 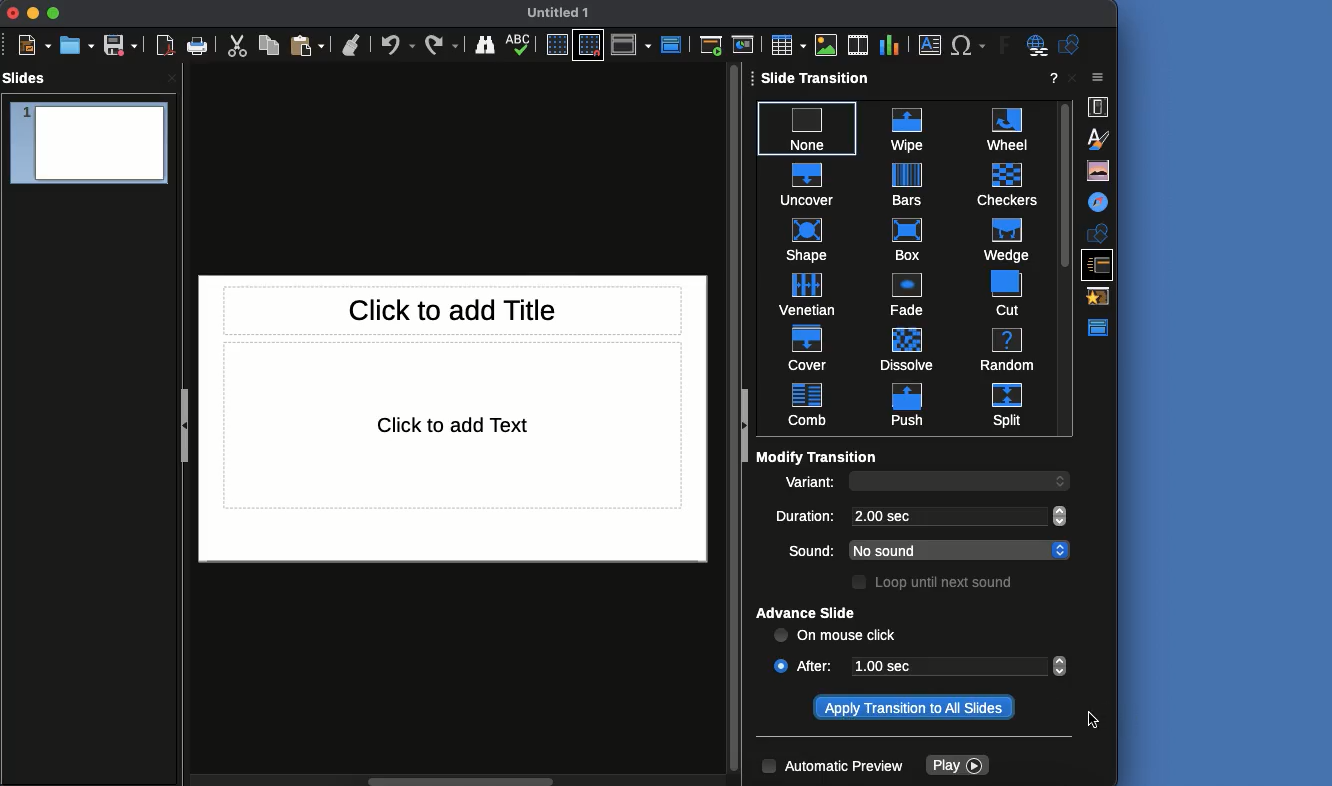 I want to click on random, so click(x=1005, y=349).